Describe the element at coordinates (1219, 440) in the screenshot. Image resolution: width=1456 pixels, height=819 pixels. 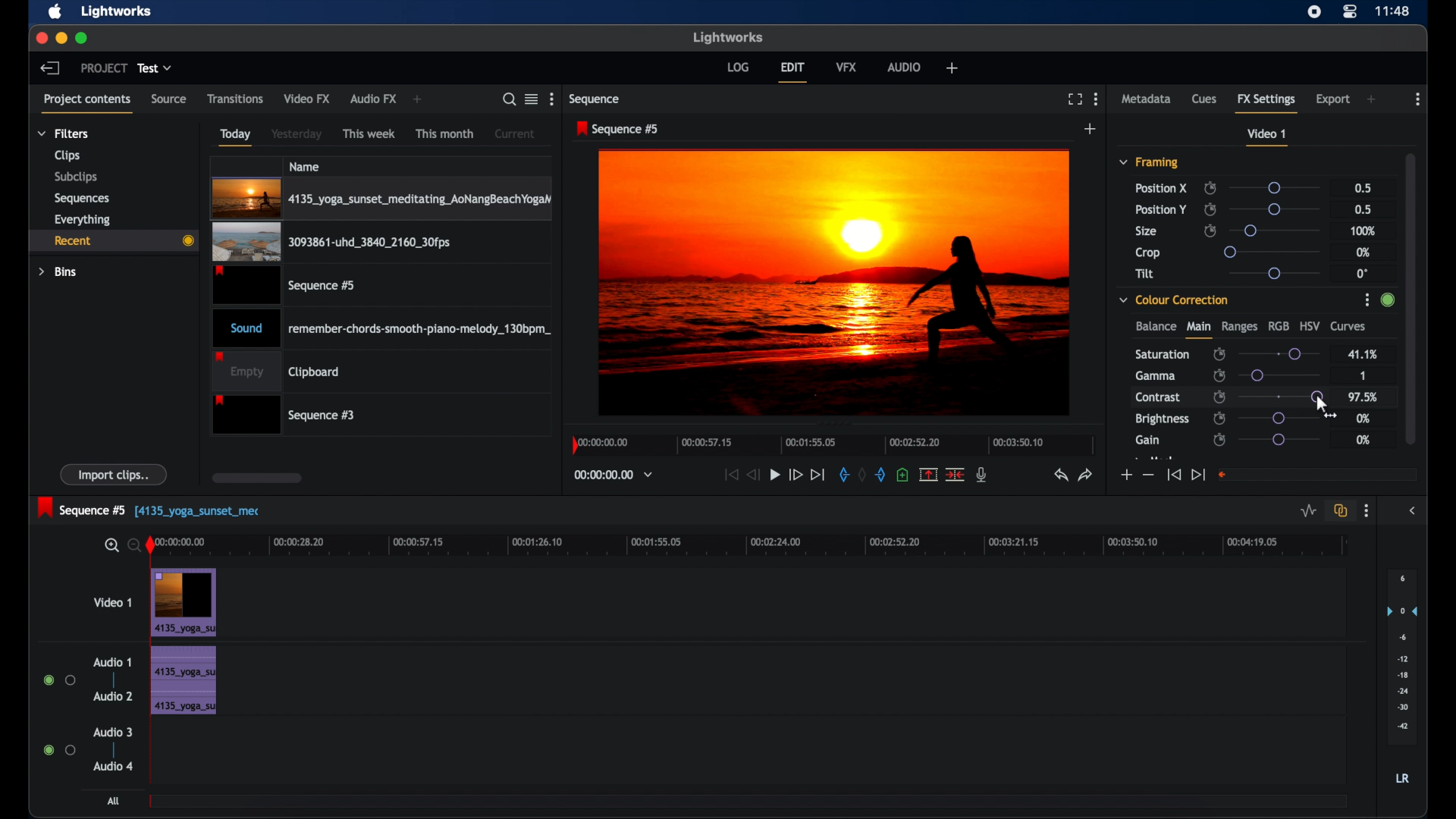
I see `enable/disable keyframes` at that location.